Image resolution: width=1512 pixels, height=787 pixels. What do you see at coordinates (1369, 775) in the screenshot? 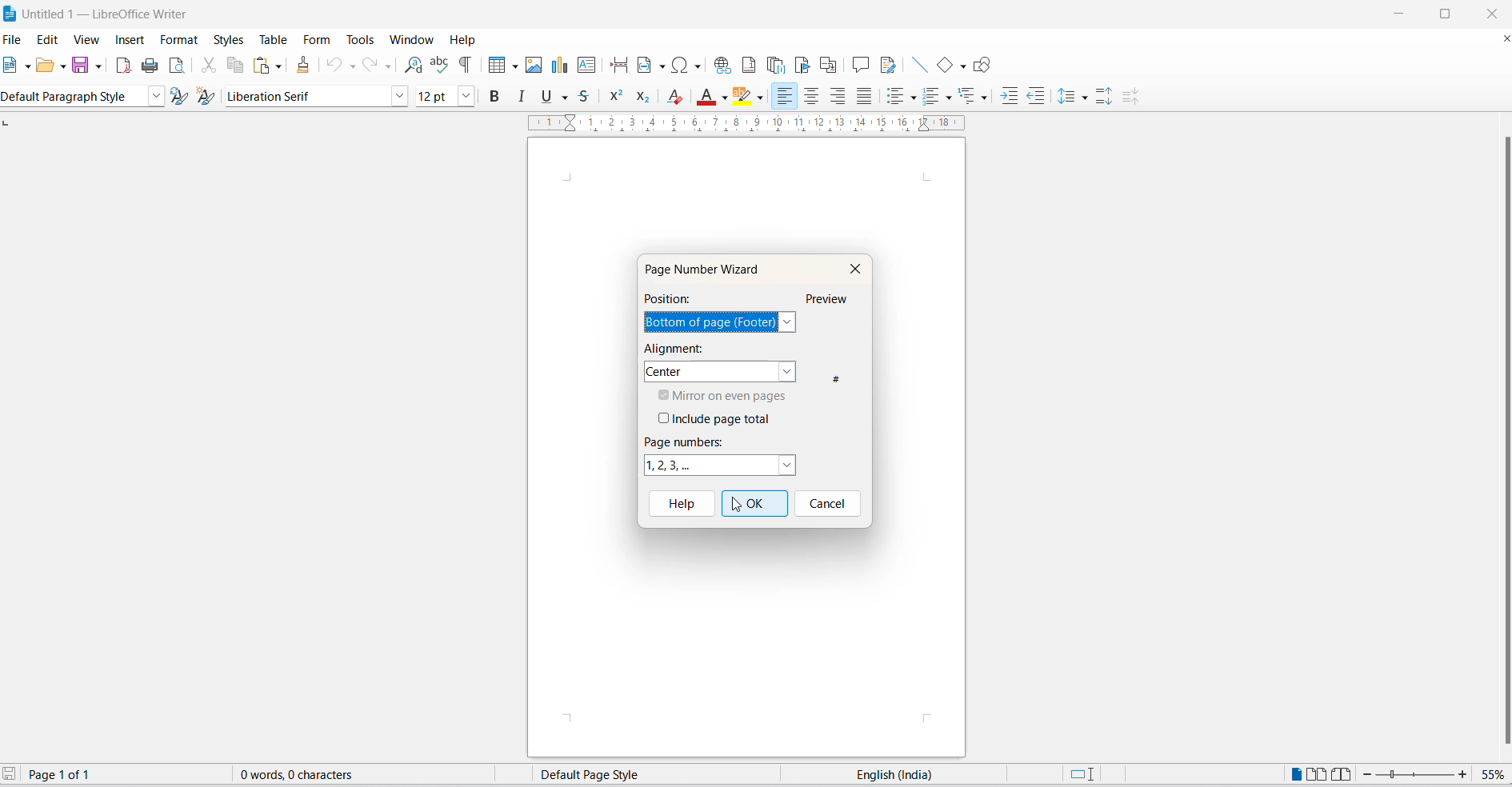
I see `decrease zoom` at bounding box center [1369, 775].